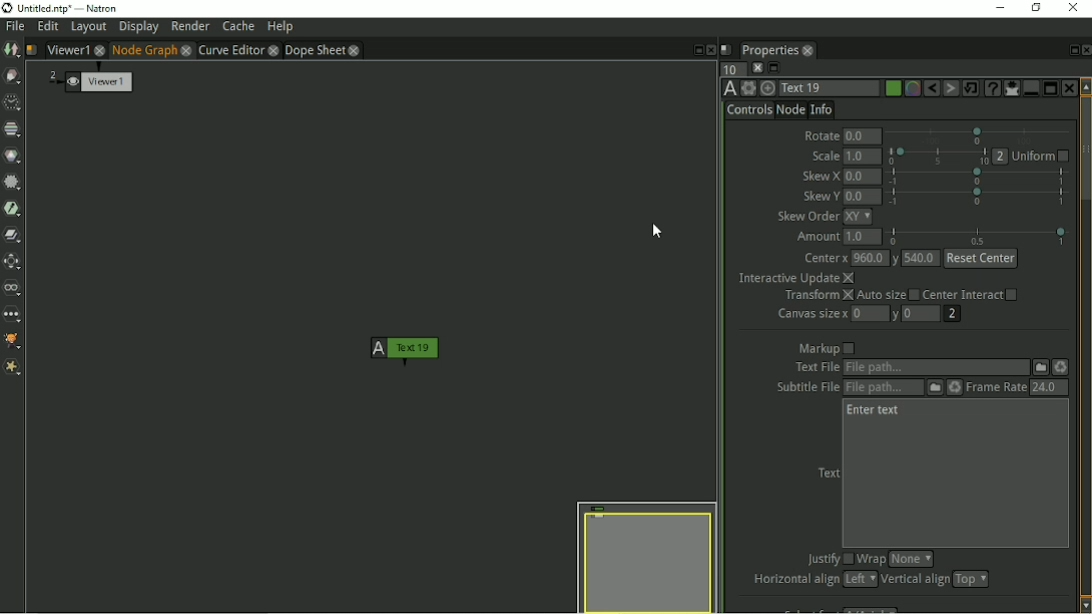 The width and height of the screenshot is (1092, 614). I want to click on Rotate, so click(820, 134).